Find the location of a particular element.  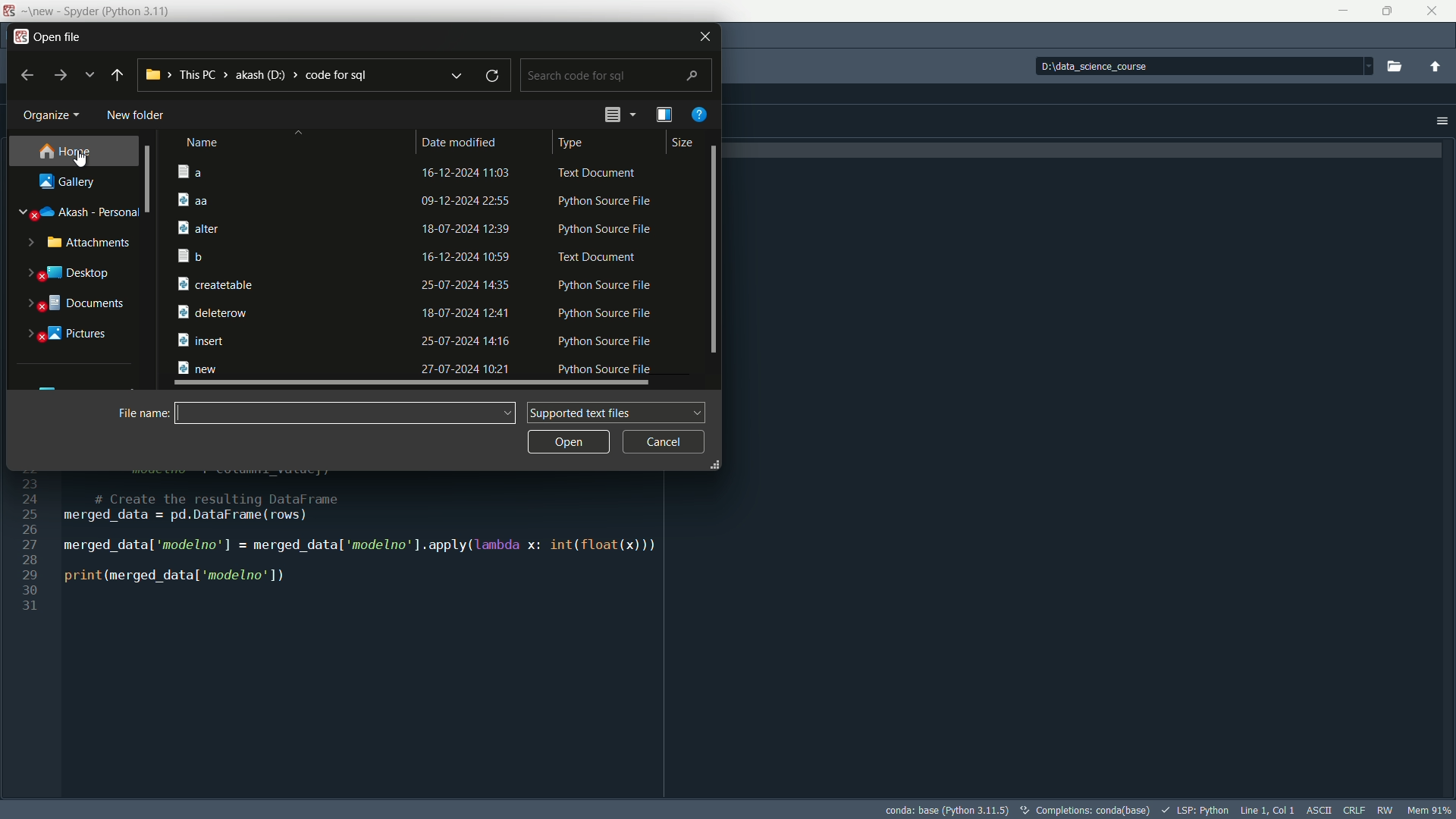

~\new ~ is located at coordinates (39, 10).